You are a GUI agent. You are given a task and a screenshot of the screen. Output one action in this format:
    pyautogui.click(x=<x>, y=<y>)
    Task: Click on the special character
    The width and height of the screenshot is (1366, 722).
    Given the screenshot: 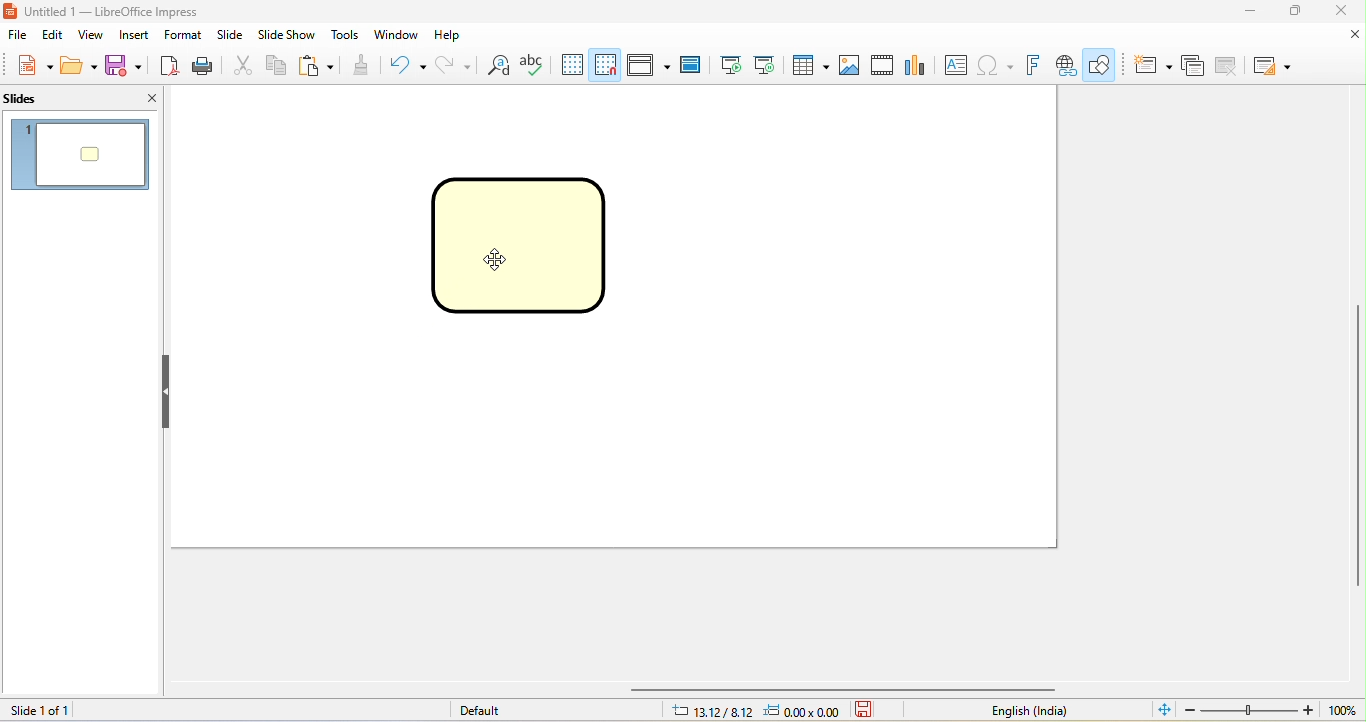 What is the action you would take?
    pyautogui.click(x=998, y=65)
    